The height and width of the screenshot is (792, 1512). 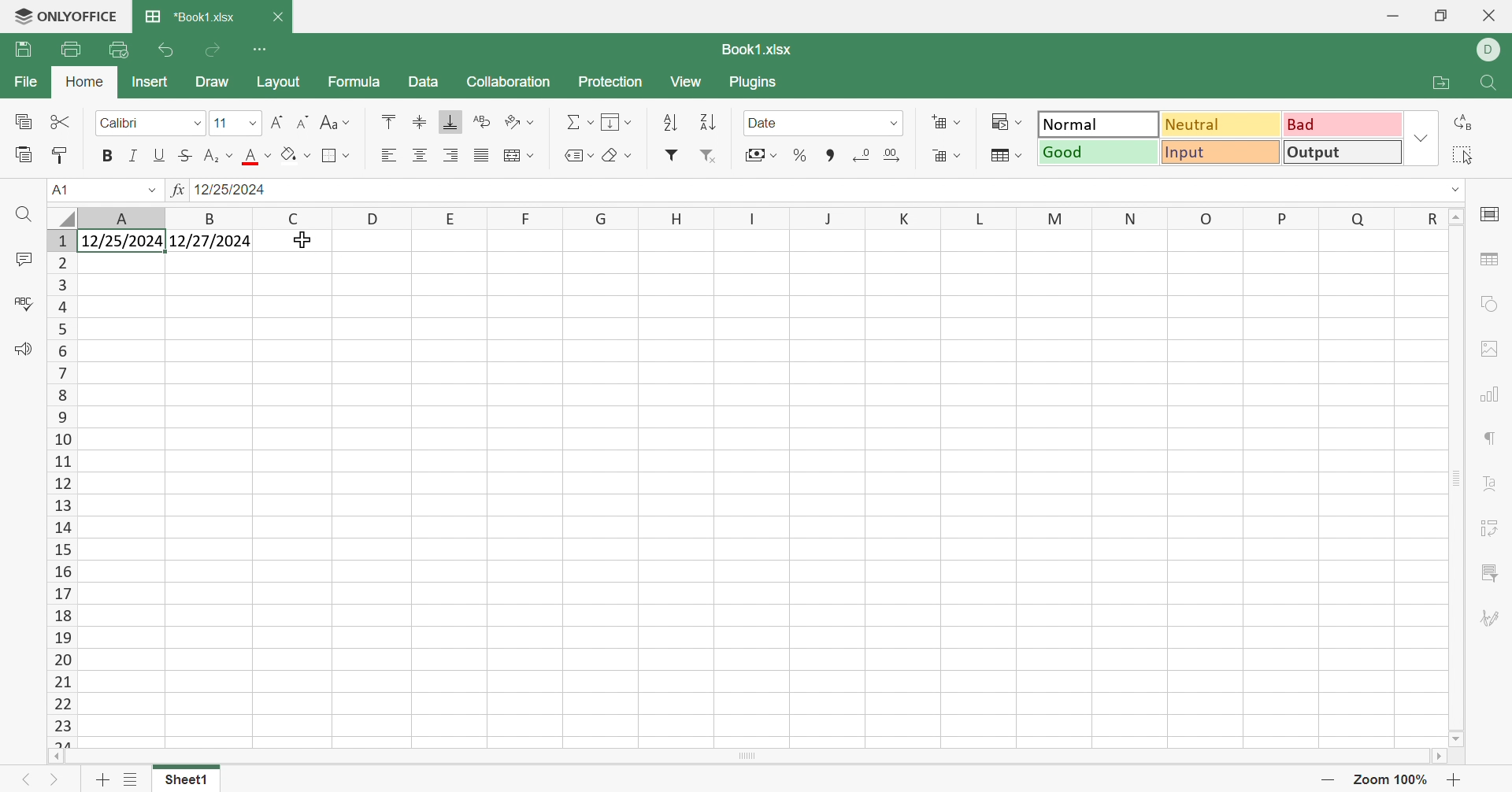 I want to click on Data, so click(x=424, y=81).